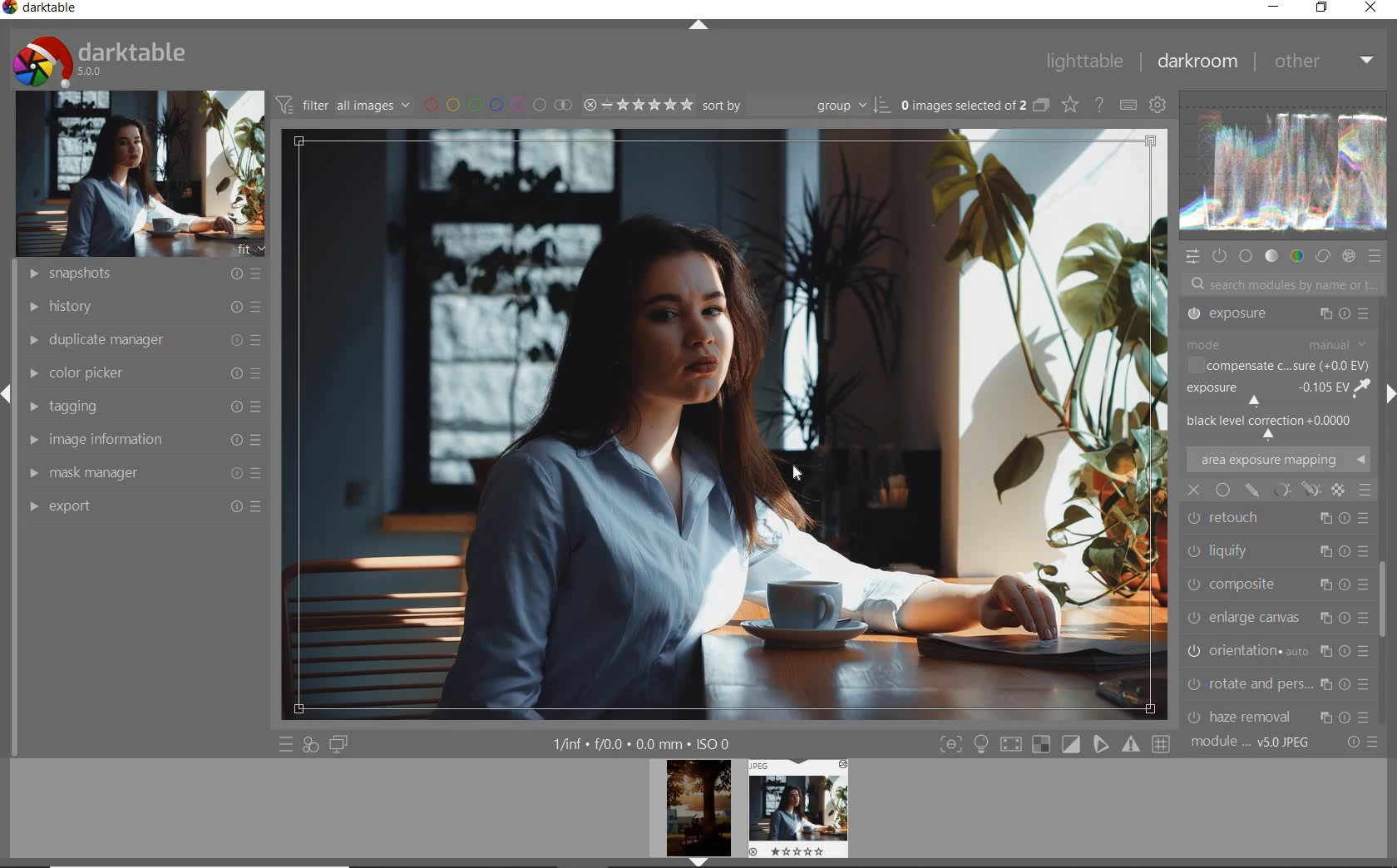  I want to click on LENS CORRECTION, so click(1278, 679).